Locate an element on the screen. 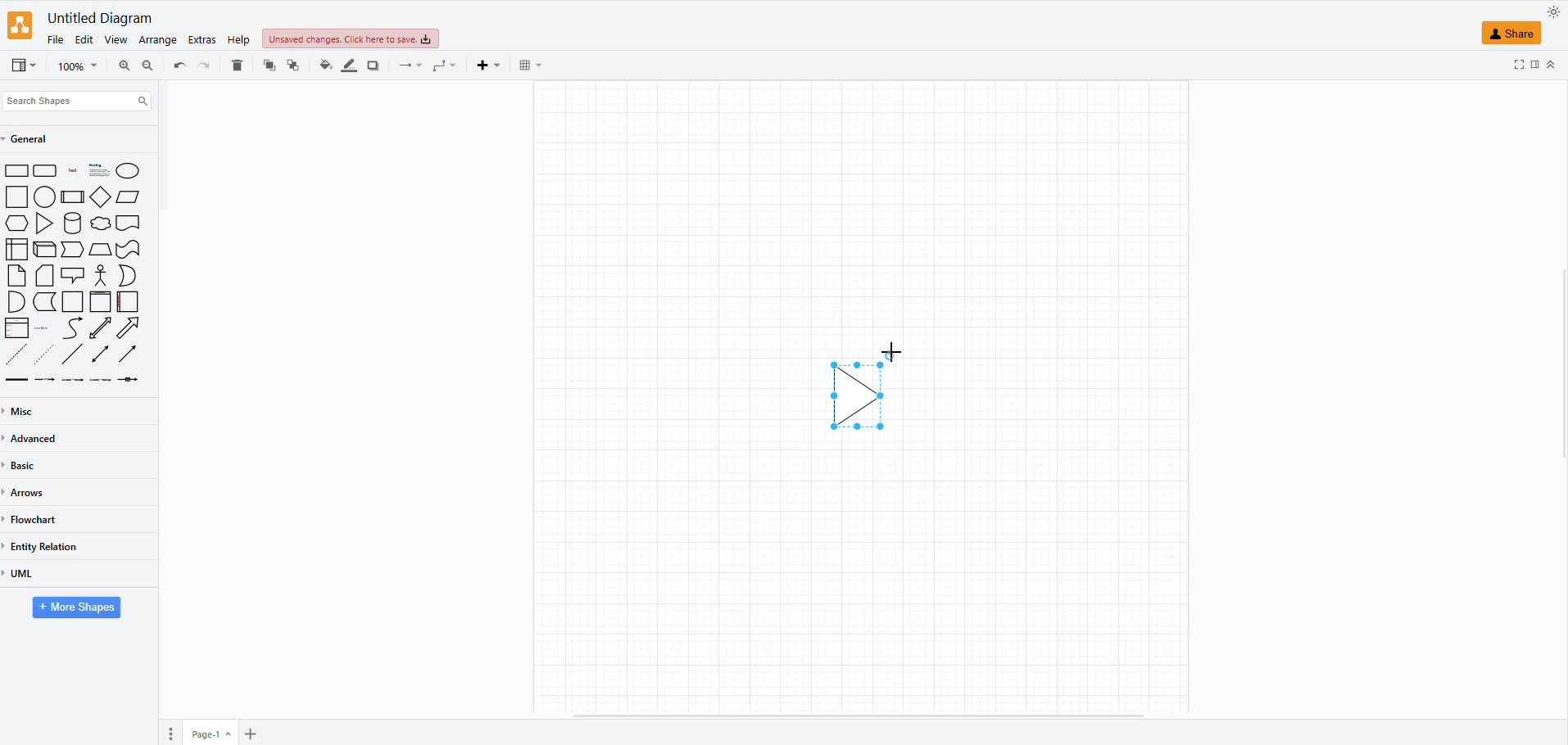 The image size is (1568, 745). Placeholder is located at coordinates (43, 328).